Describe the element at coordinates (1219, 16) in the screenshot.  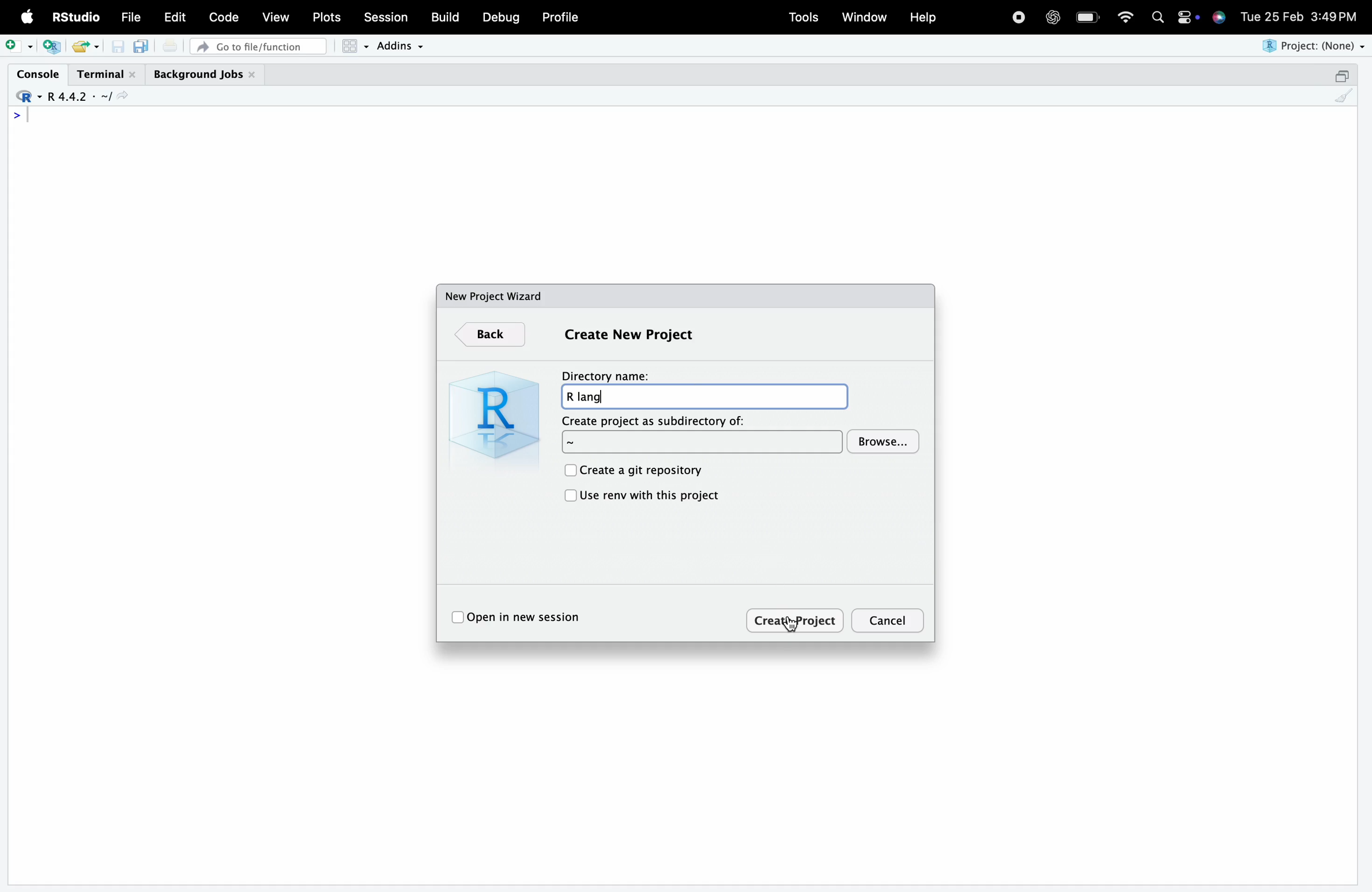
I see `siri` at that location.